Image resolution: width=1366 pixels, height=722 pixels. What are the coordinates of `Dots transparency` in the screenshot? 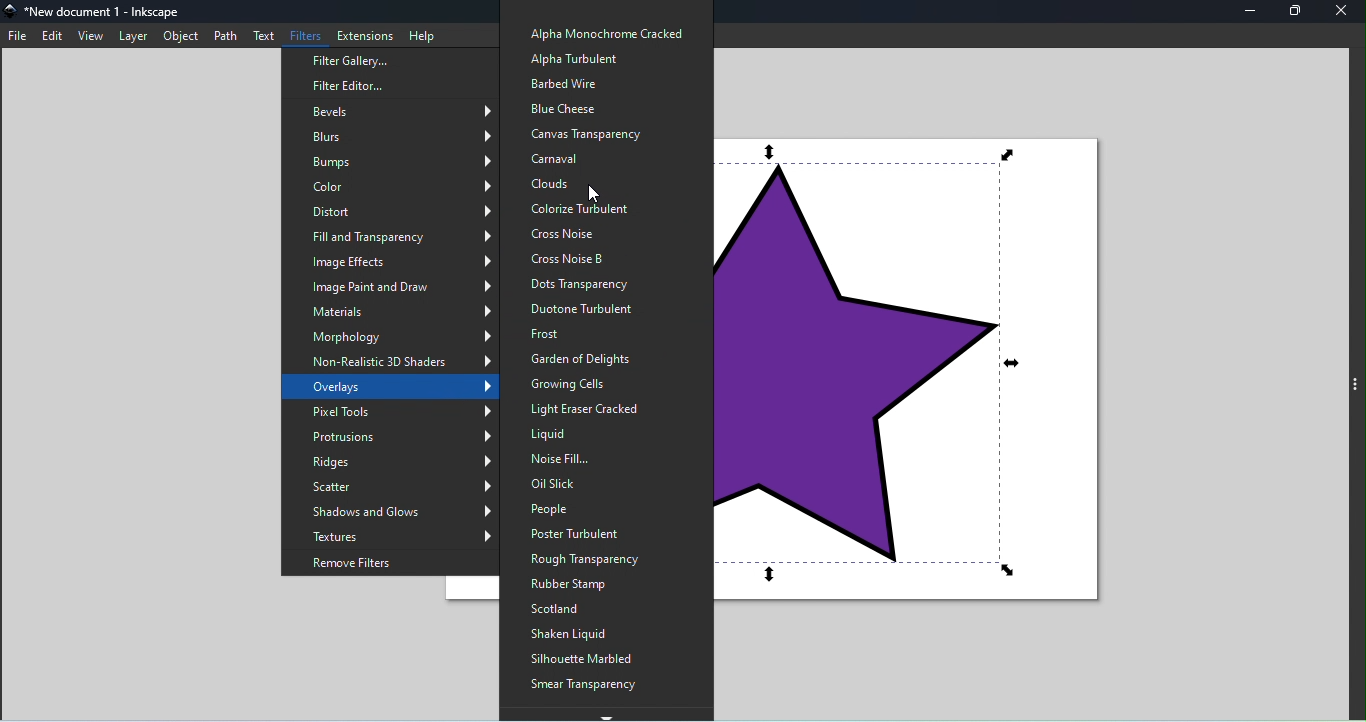 It's located at (596, 284).